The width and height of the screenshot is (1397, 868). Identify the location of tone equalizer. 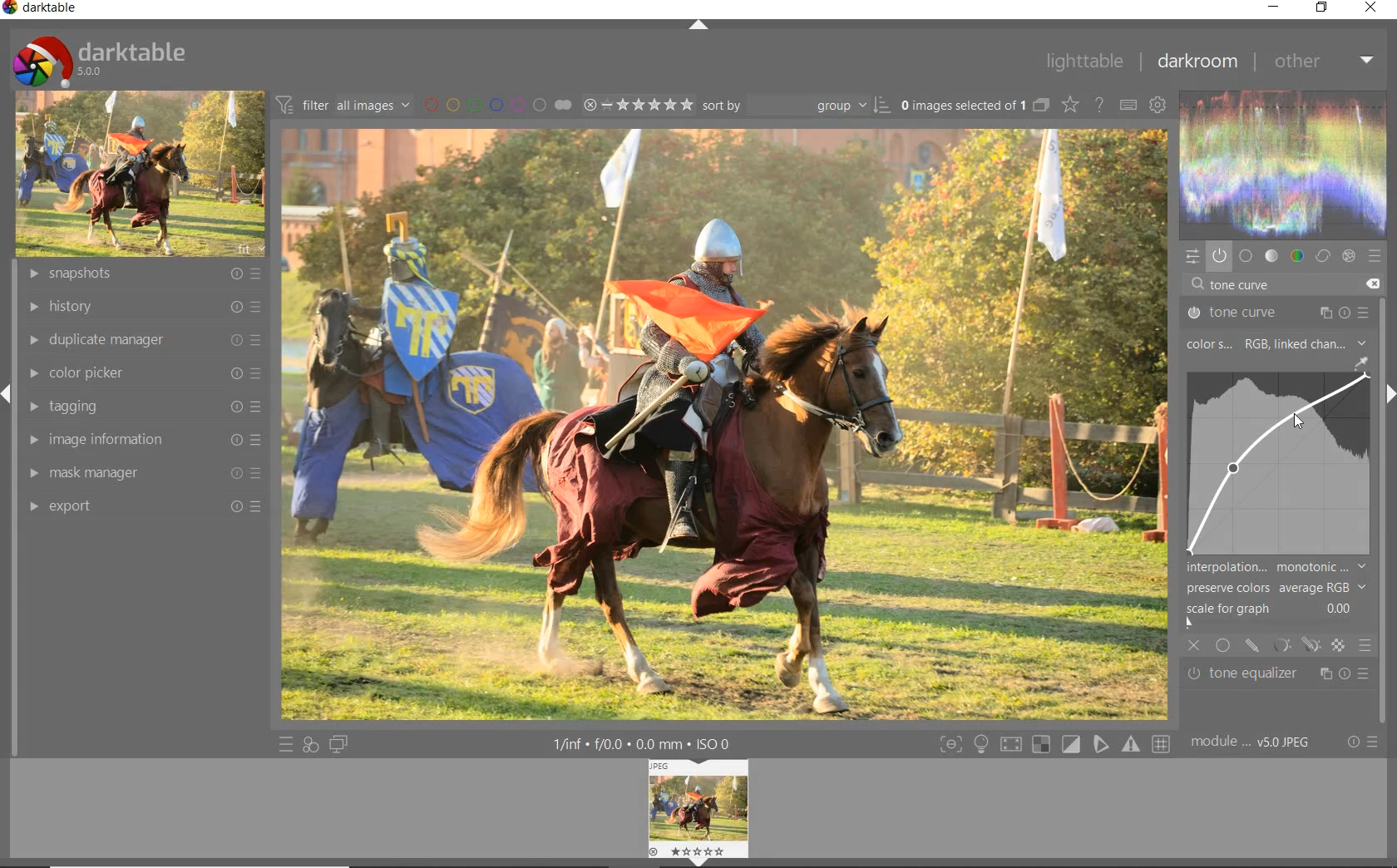
(1279, 674).